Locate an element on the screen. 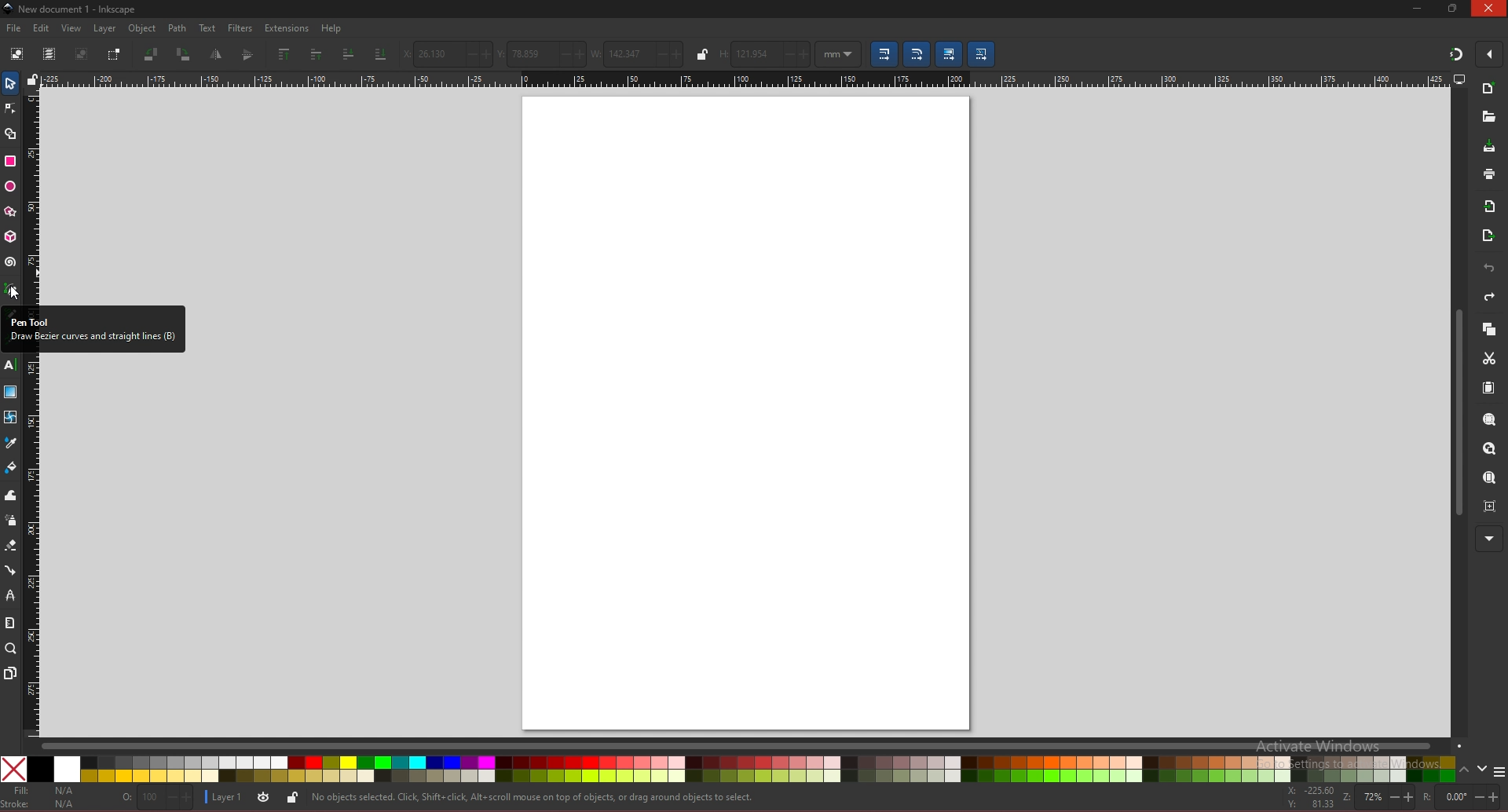 This screenshot has width=1508, height=812. cursor is located at coordinates (20, 293).